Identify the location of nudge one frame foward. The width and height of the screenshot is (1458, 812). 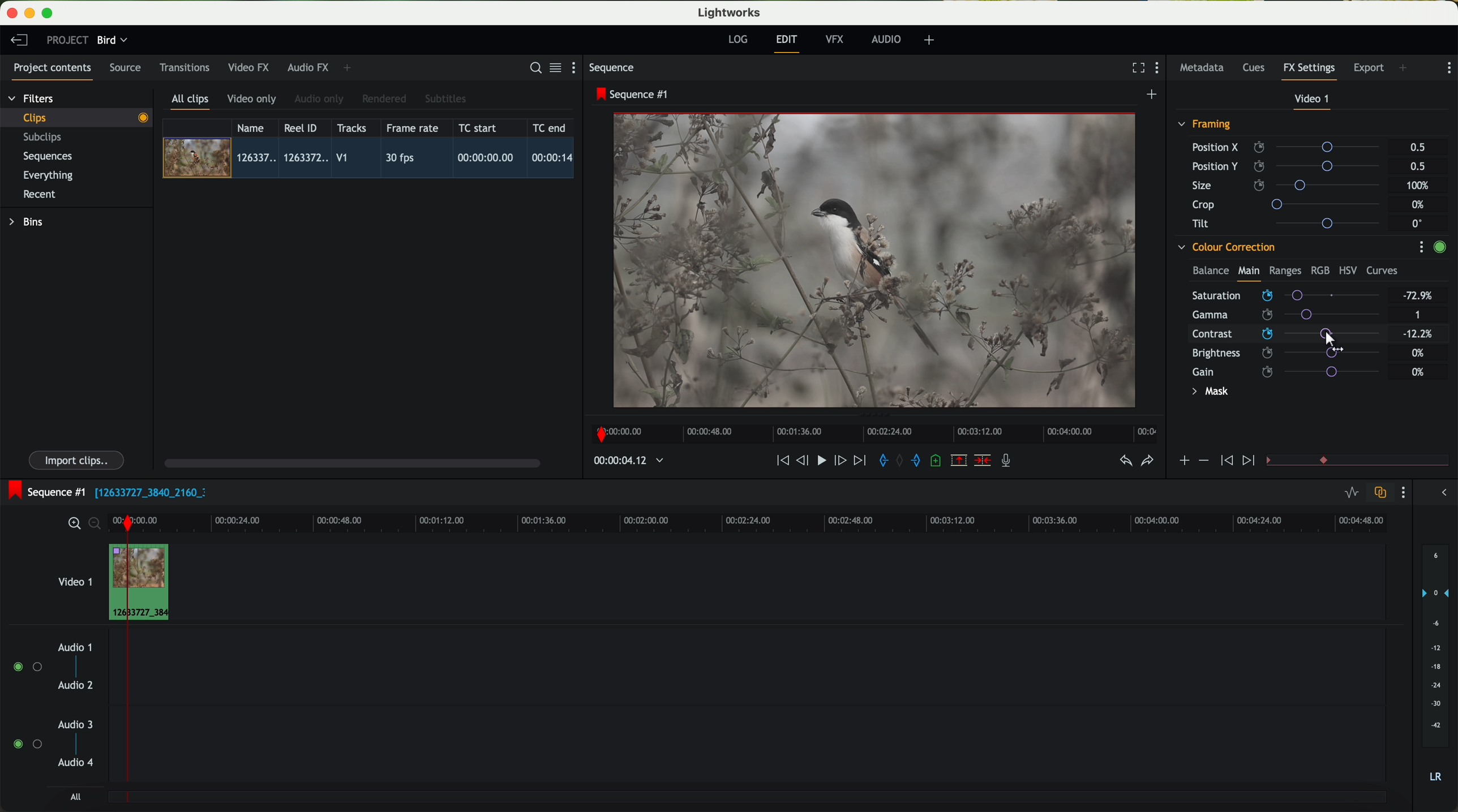
(842, 461).